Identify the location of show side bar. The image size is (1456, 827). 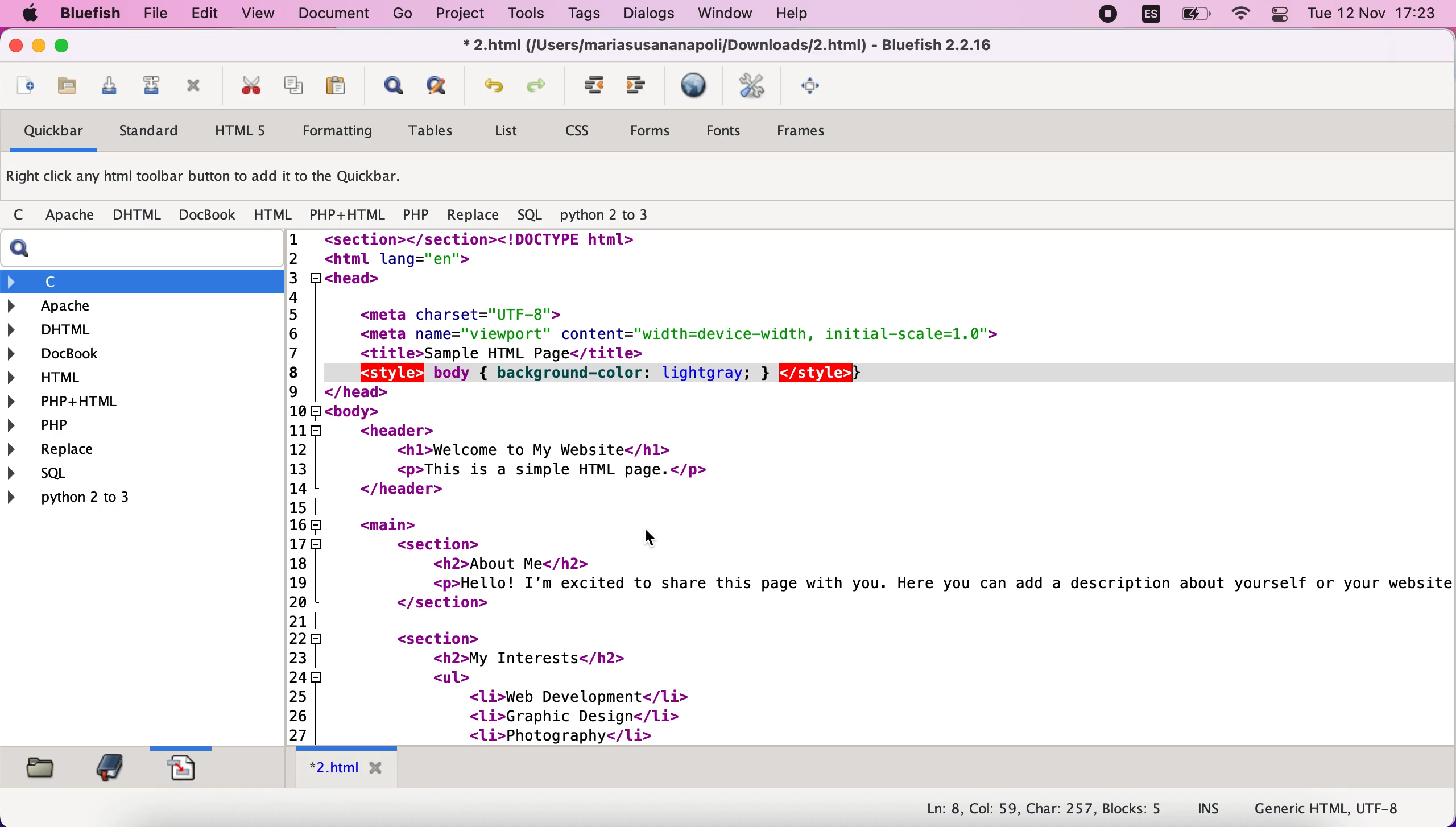
(392, 86).